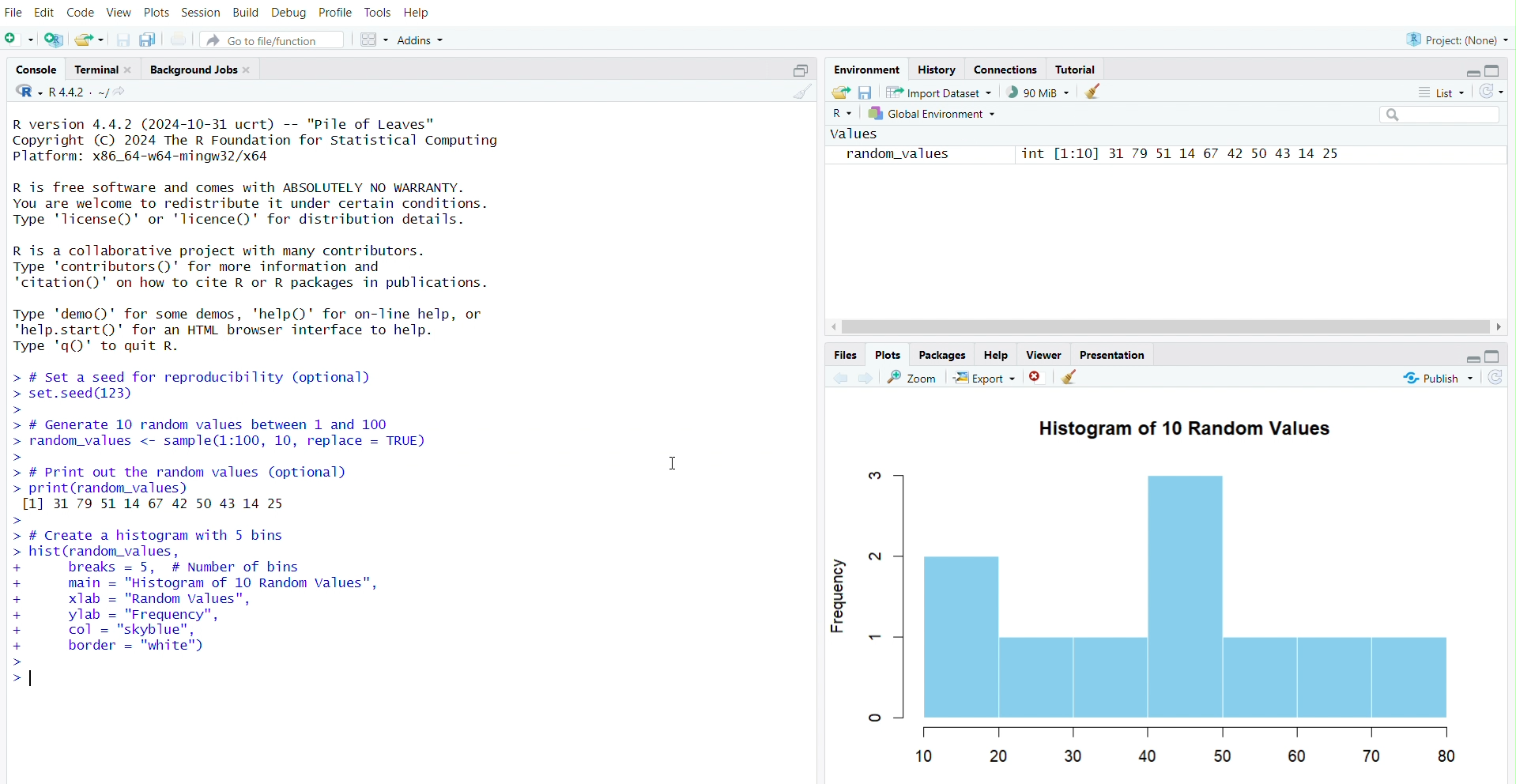  I want to click on go to file/function, so click(273, 37).